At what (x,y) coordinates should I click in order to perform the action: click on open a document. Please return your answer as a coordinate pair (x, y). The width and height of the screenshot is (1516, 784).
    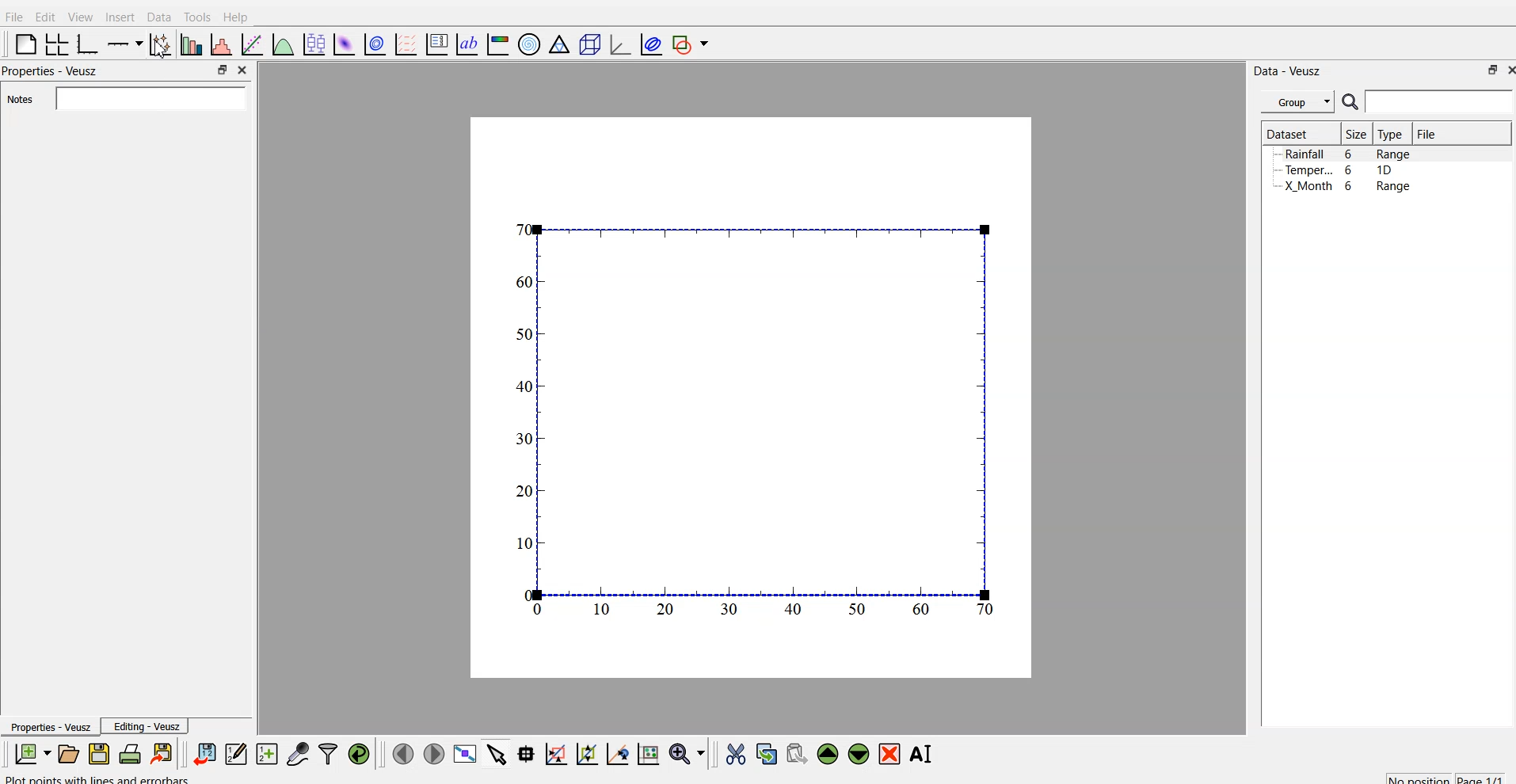
    Looking at the image, I should click on (67, 752).